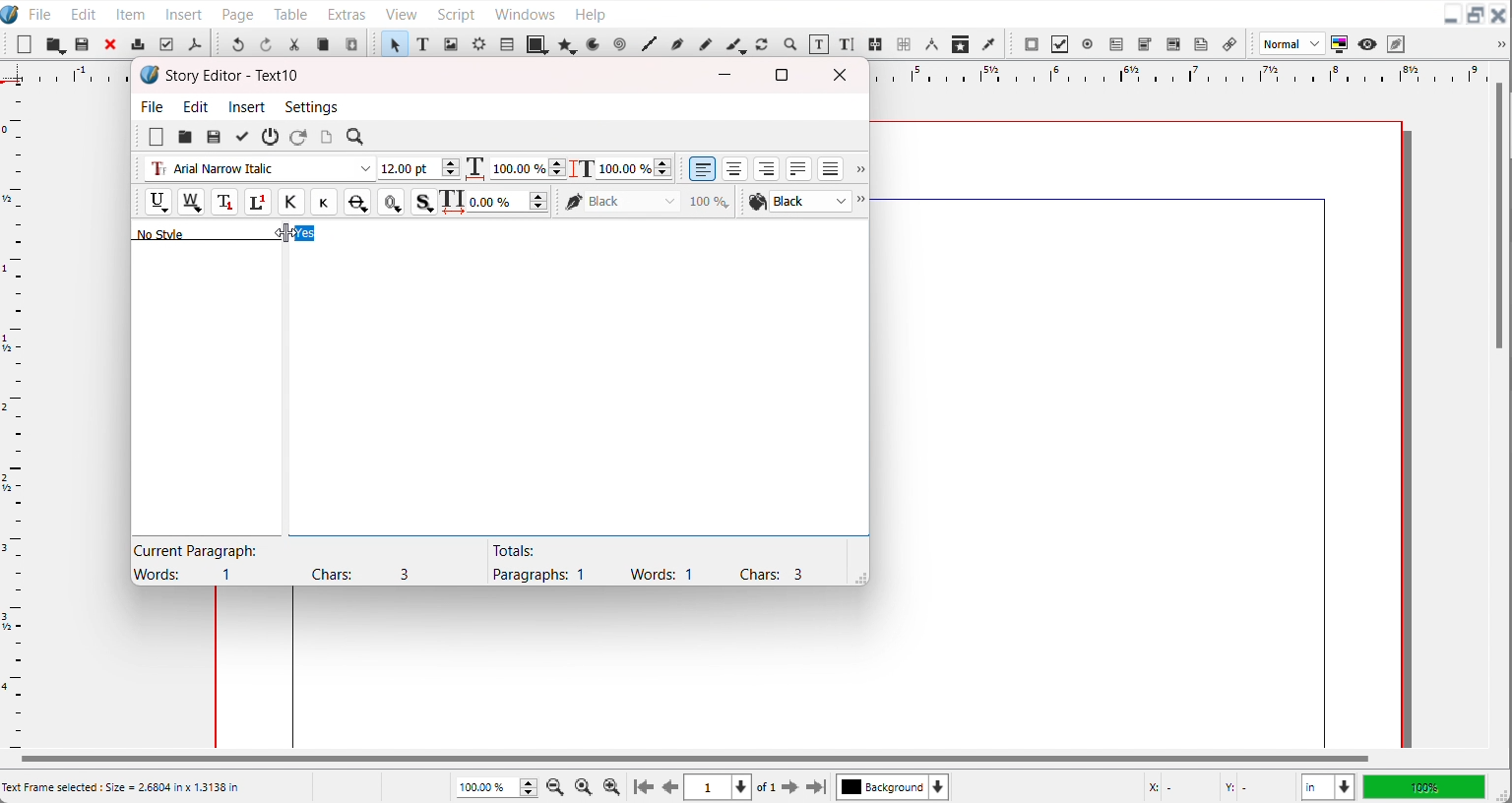 The image size is (1512, 803). I want to click on Select item, so click(394, 43).